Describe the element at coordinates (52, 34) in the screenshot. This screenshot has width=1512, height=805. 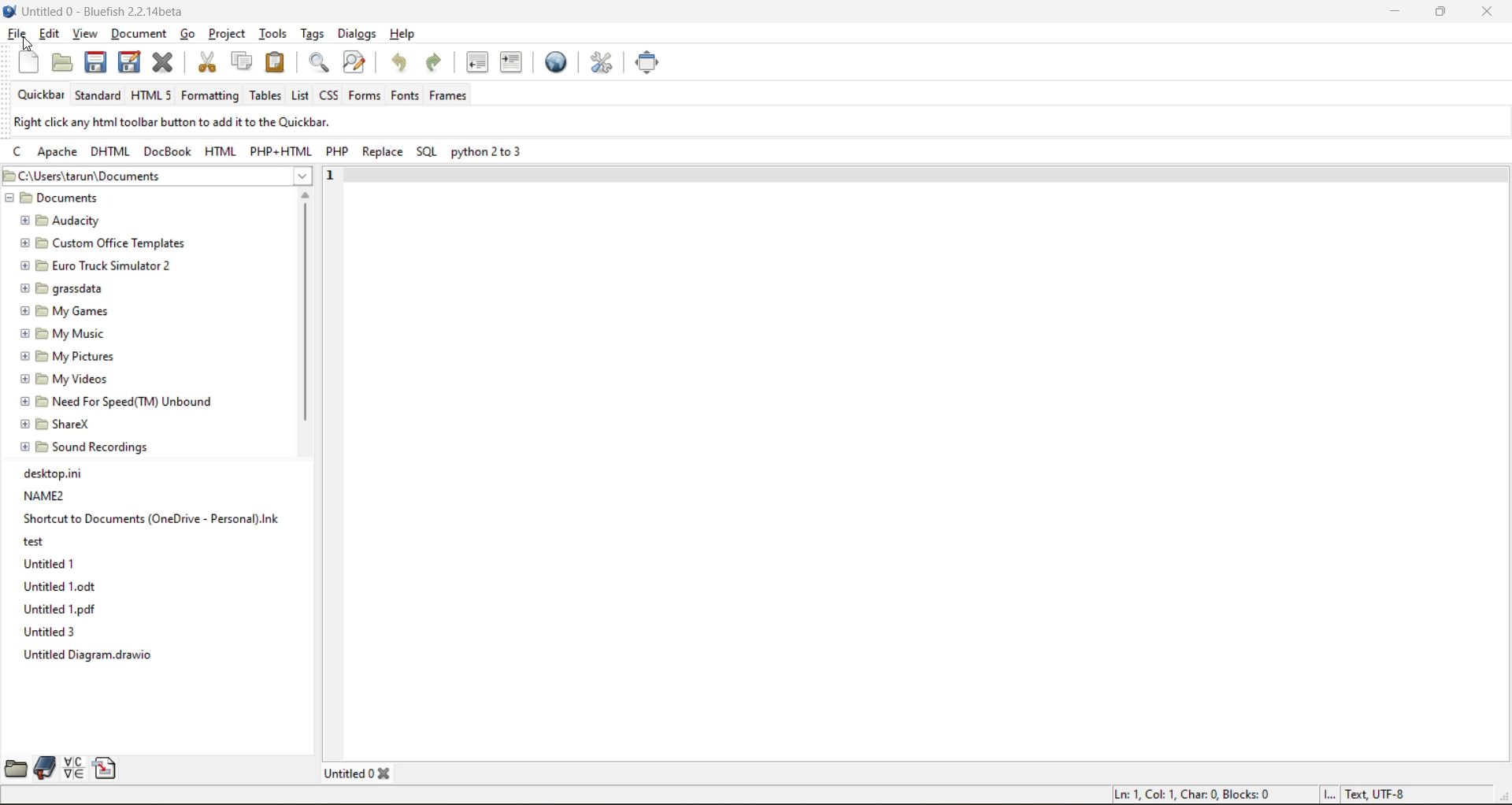
I see `edit` at that location.